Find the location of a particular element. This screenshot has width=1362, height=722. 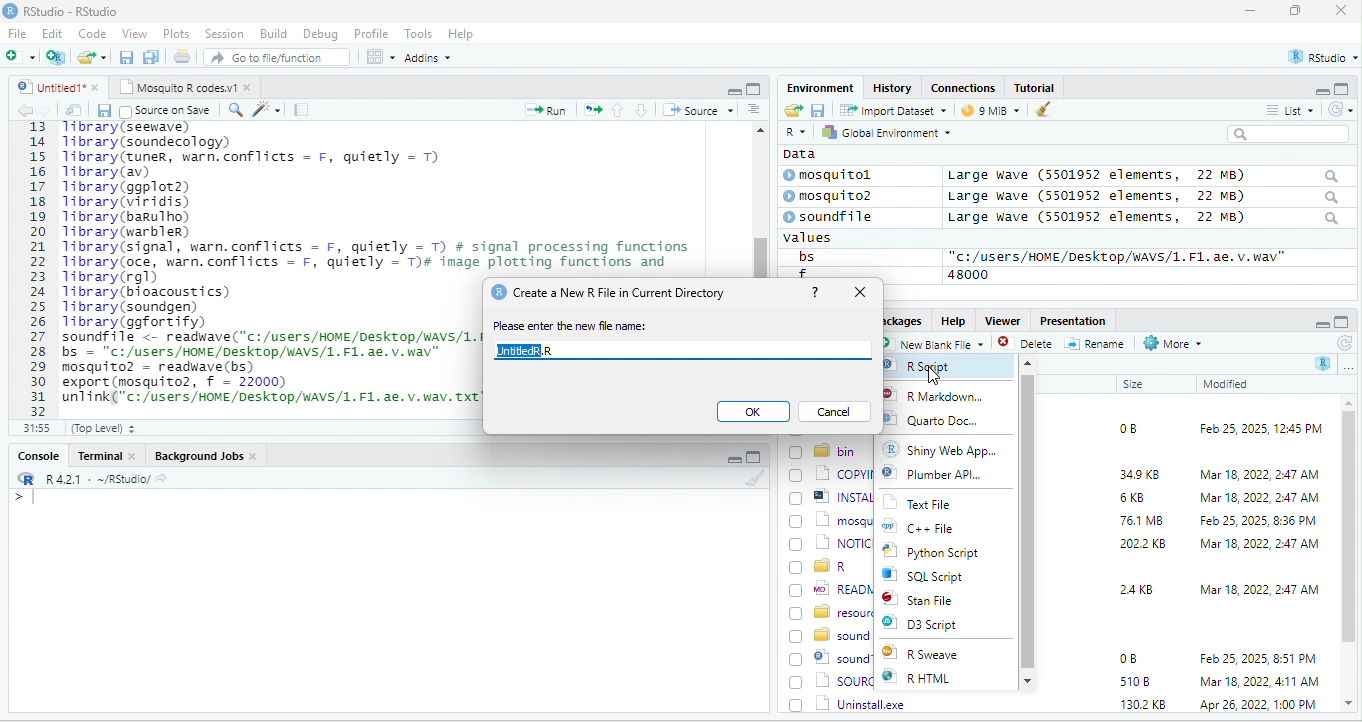

maximize is located at coordinates (1344, 88).